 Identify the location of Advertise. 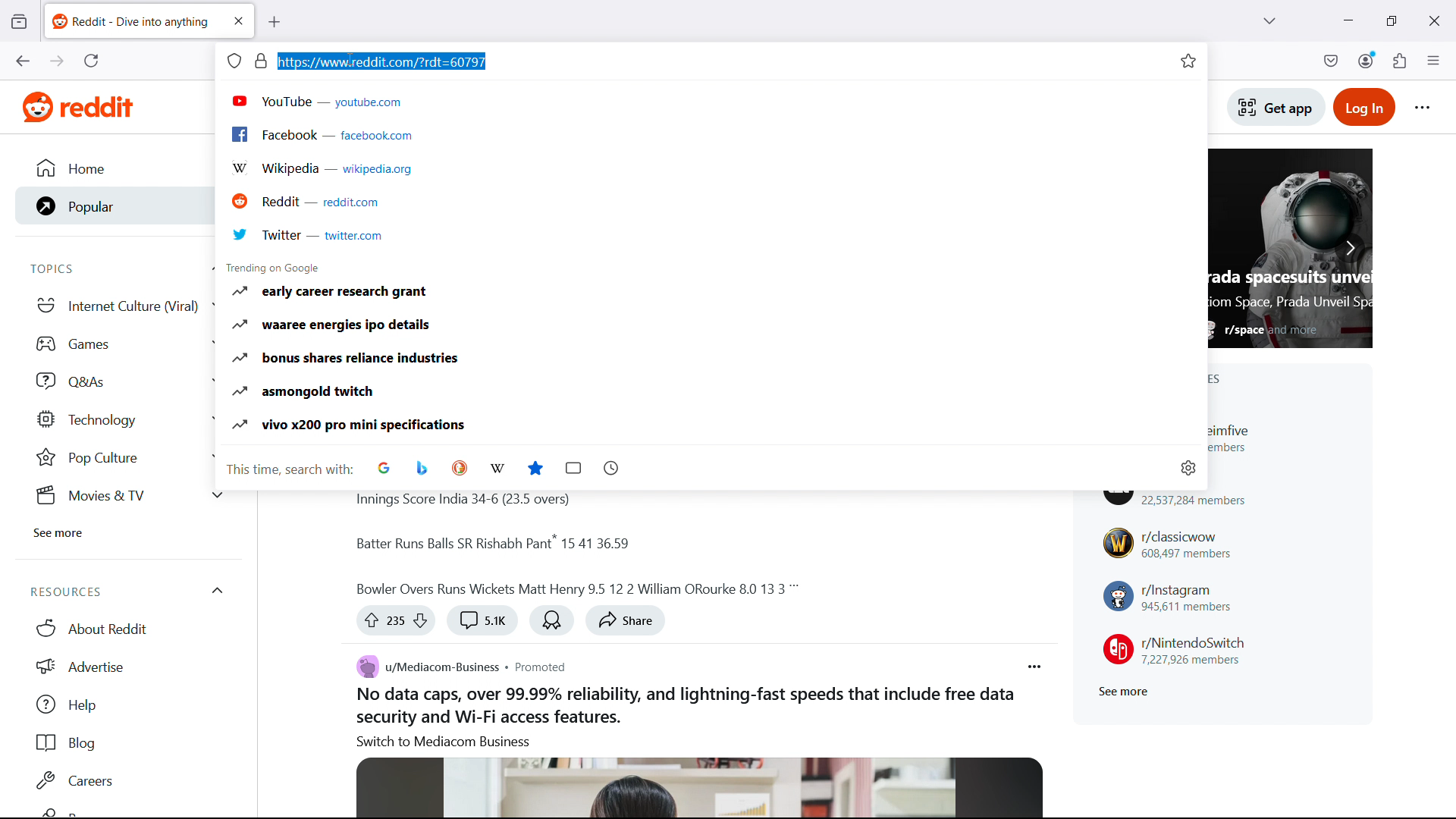
(129, 667).